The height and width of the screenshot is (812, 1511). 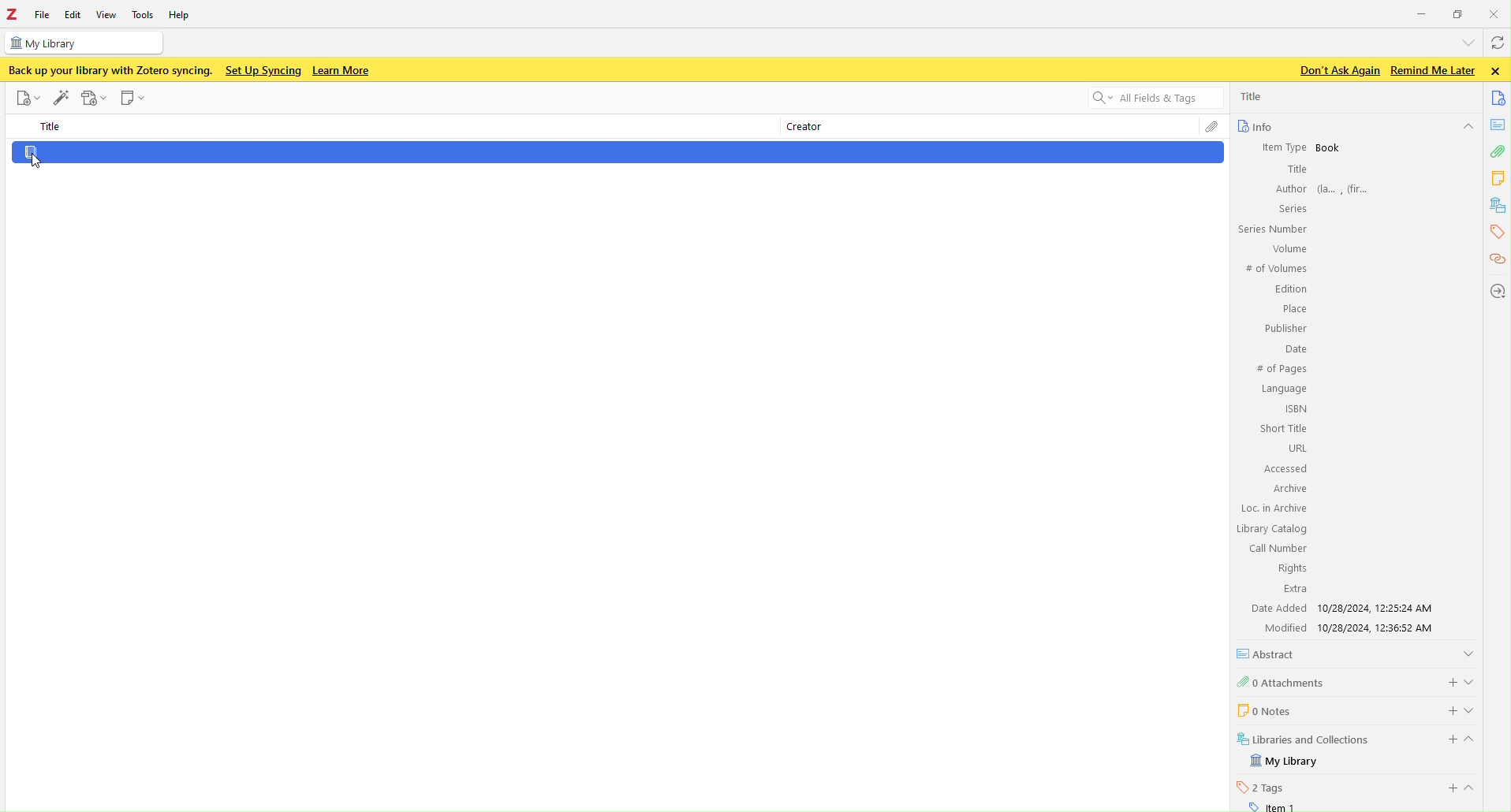 I want to click on learn more, so click(x=349, y=71).